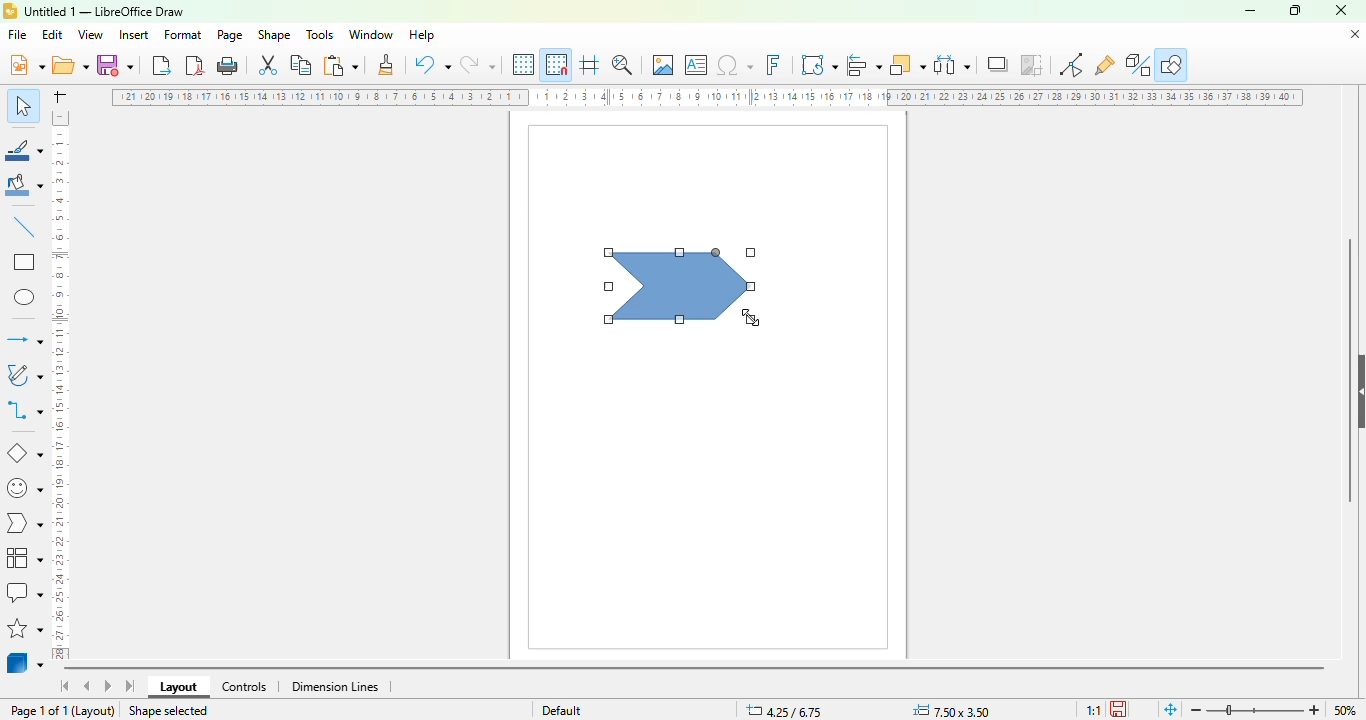 Image resolution: width=1366 pixels, height=720 pixels. I want to click on line color, so click(24, 149).